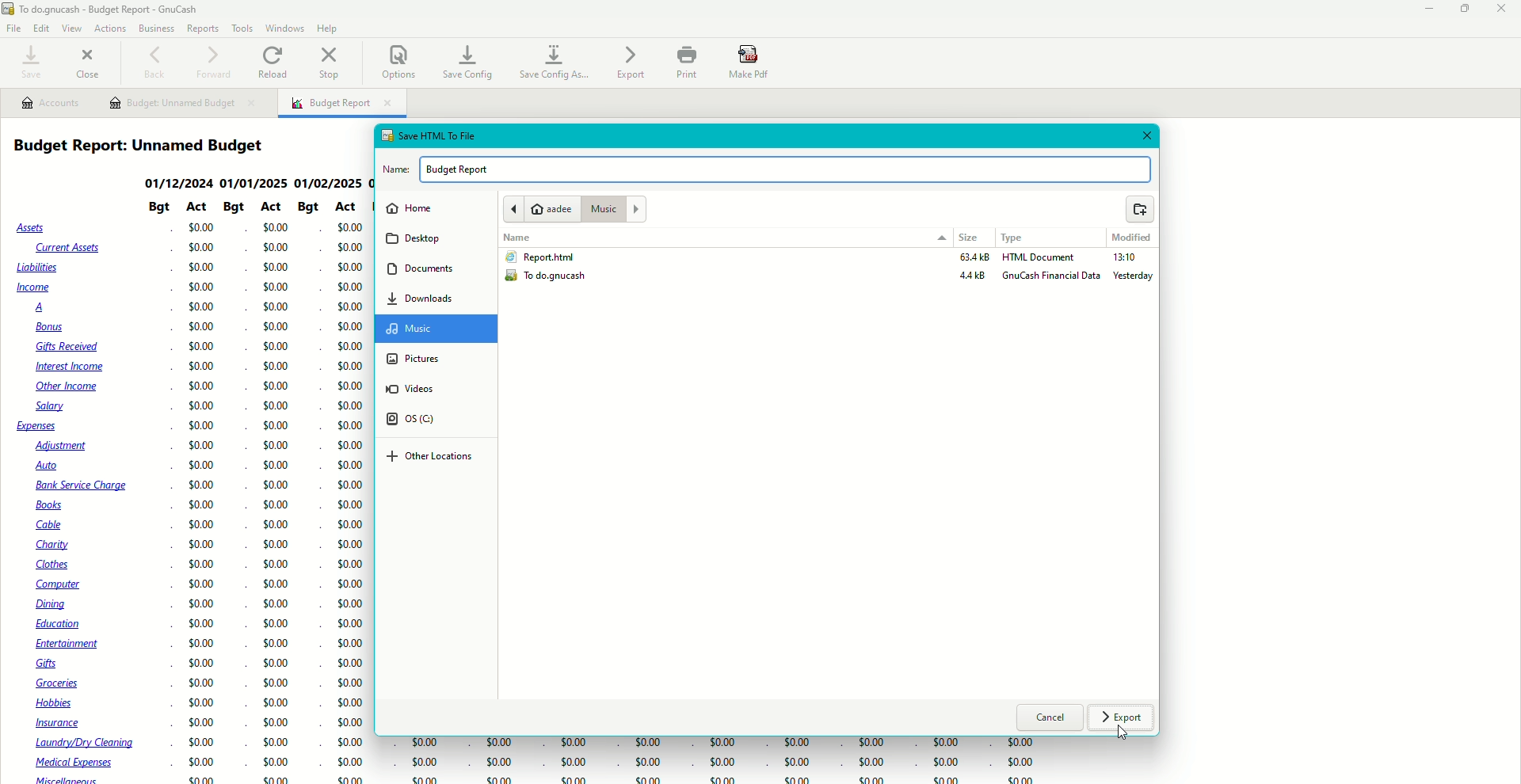 The width and height of the screenshot is (1521, 784). Describe the element at coordinates (428, 134) in the screenshot. I see `Save to File` at that location.